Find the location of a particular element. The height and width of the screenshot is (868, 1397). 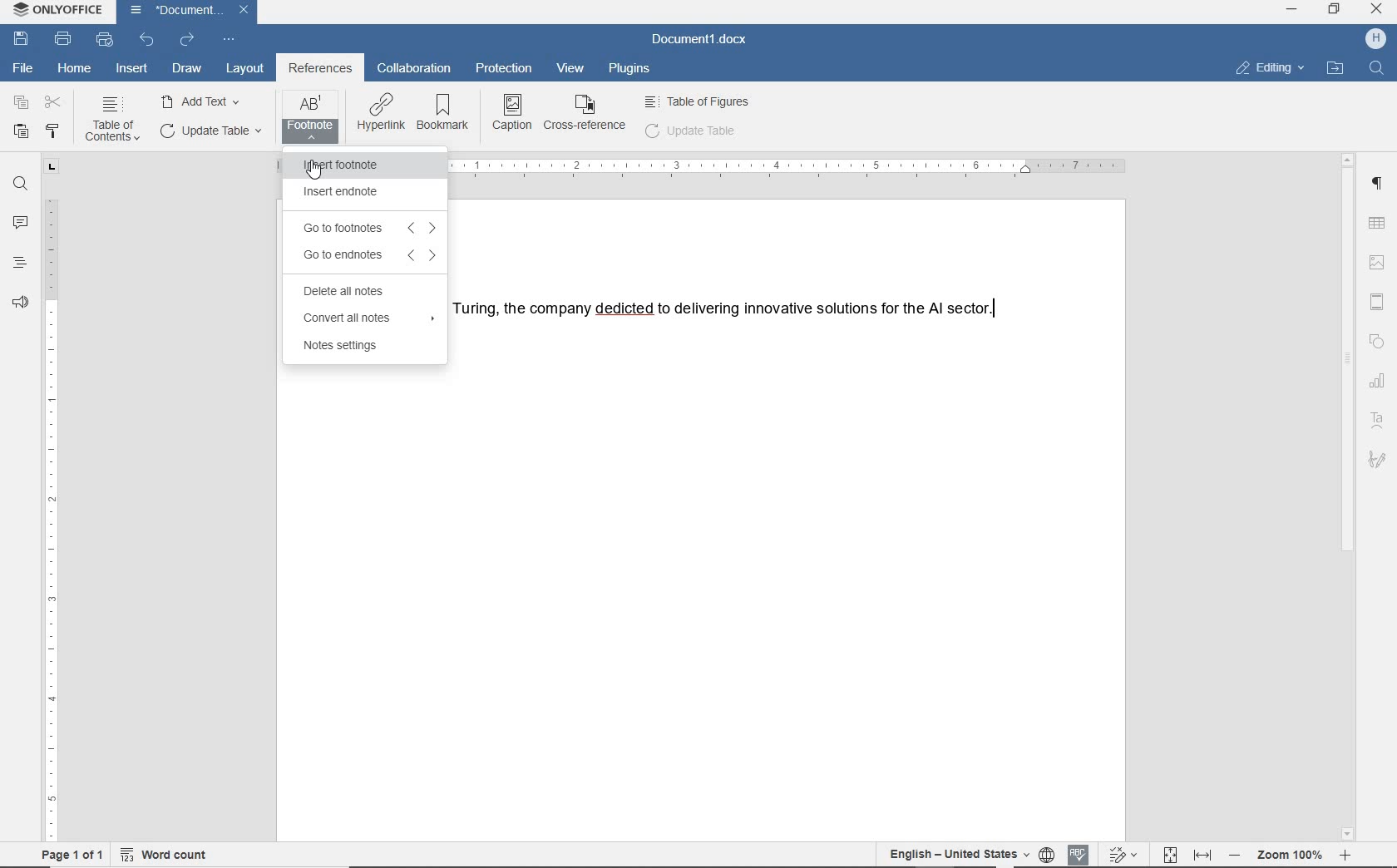

MINIMIZE is located at coordinates (1291, 10).